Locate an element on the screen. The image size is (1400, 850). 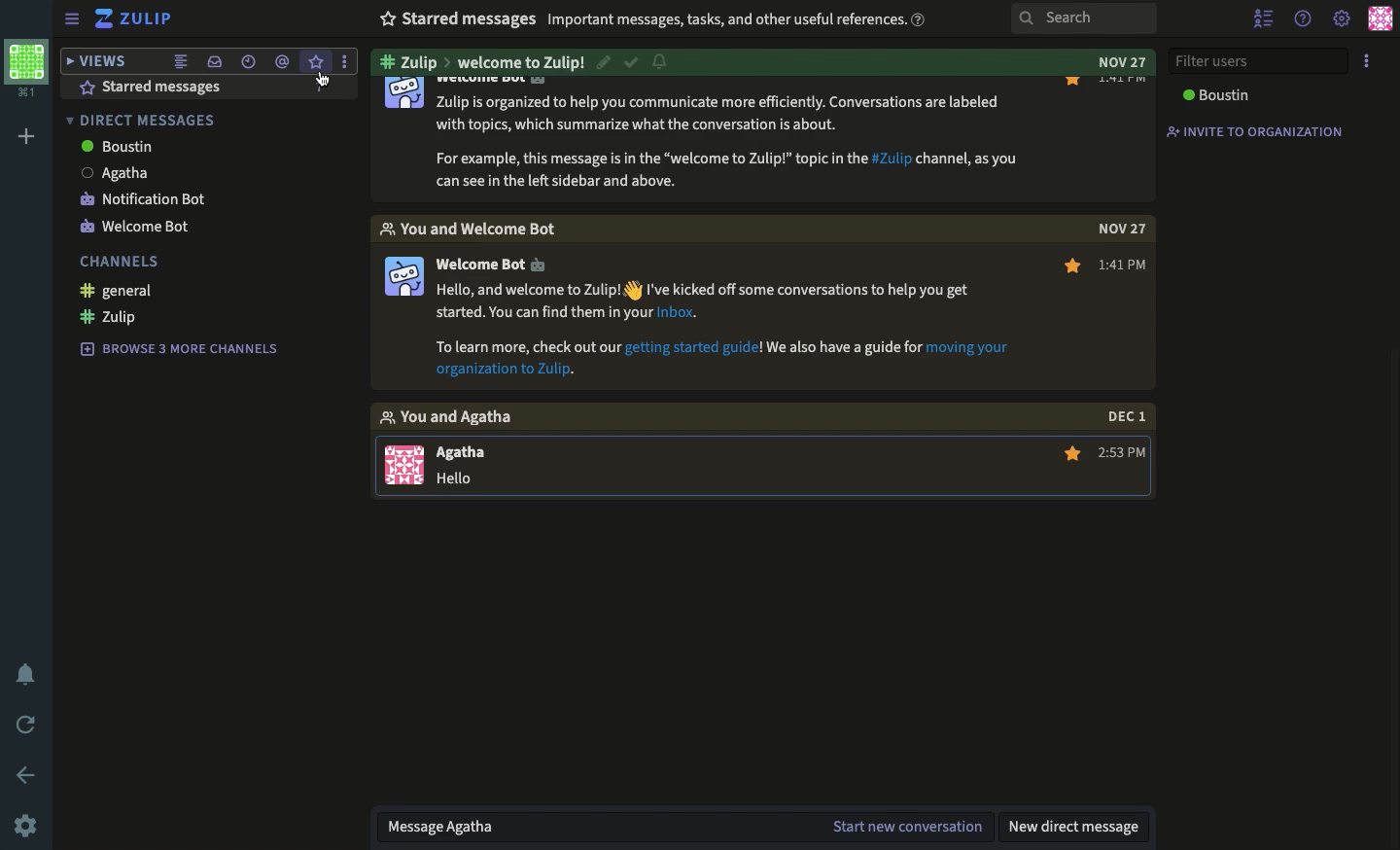
add workspace  is located at coordinates (29, 135).